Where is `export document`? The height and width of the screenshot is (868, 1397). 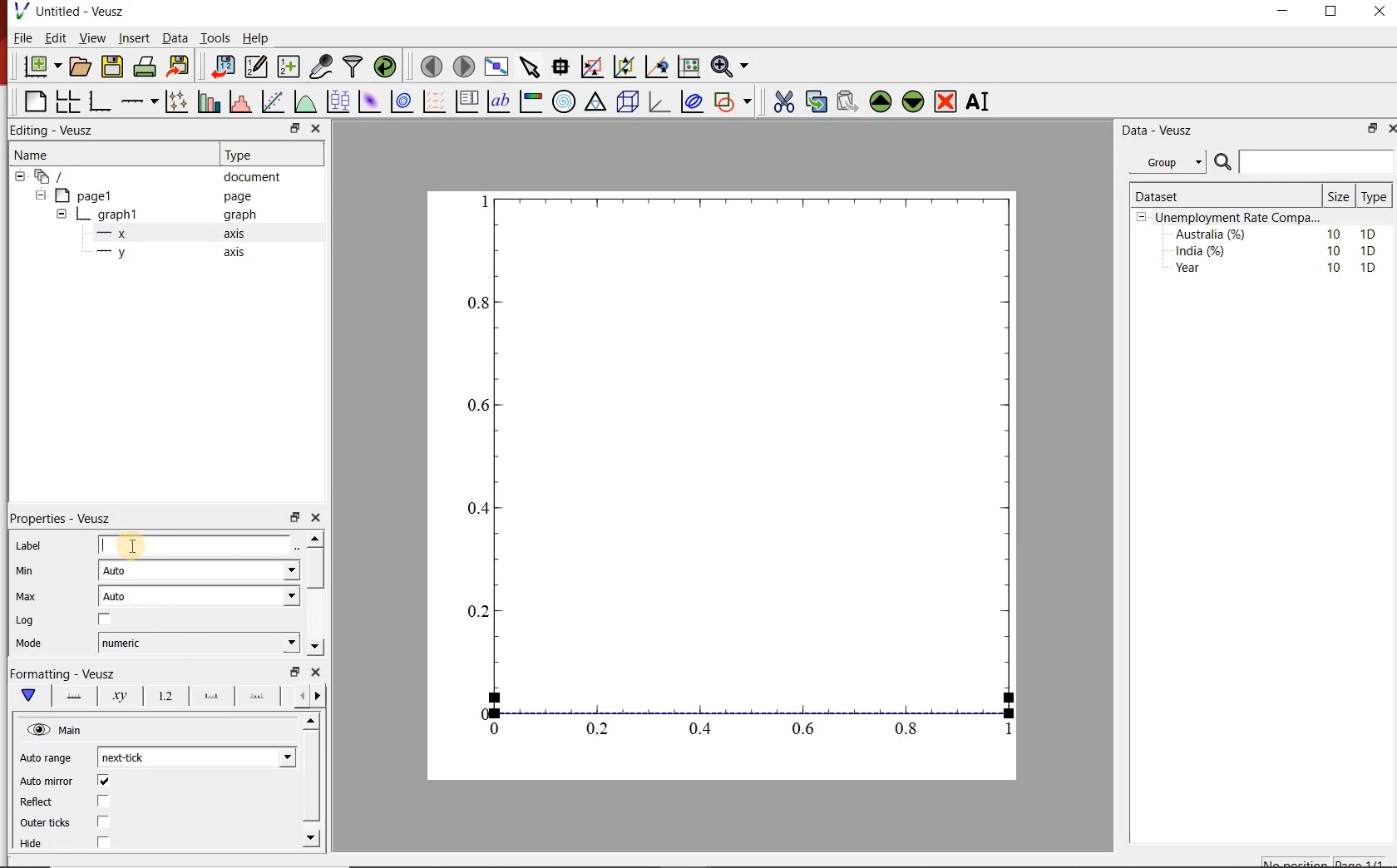 export document is located at coordinates (180, 65).